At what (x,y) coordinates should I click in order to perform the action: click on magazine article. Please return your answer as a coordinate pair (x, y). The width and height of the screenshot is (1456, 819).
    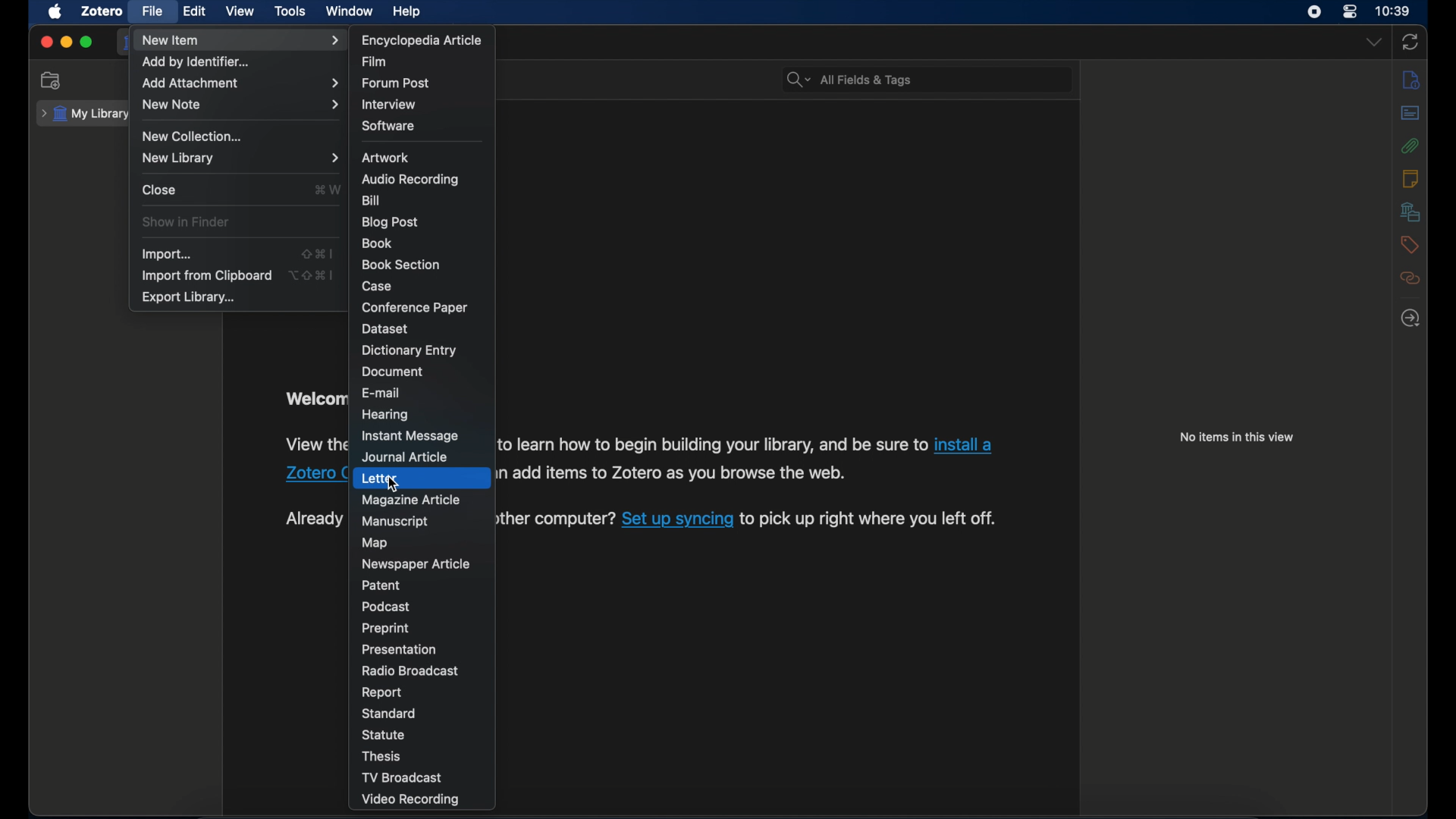
    Looking at the image, I should click on (413, 501).